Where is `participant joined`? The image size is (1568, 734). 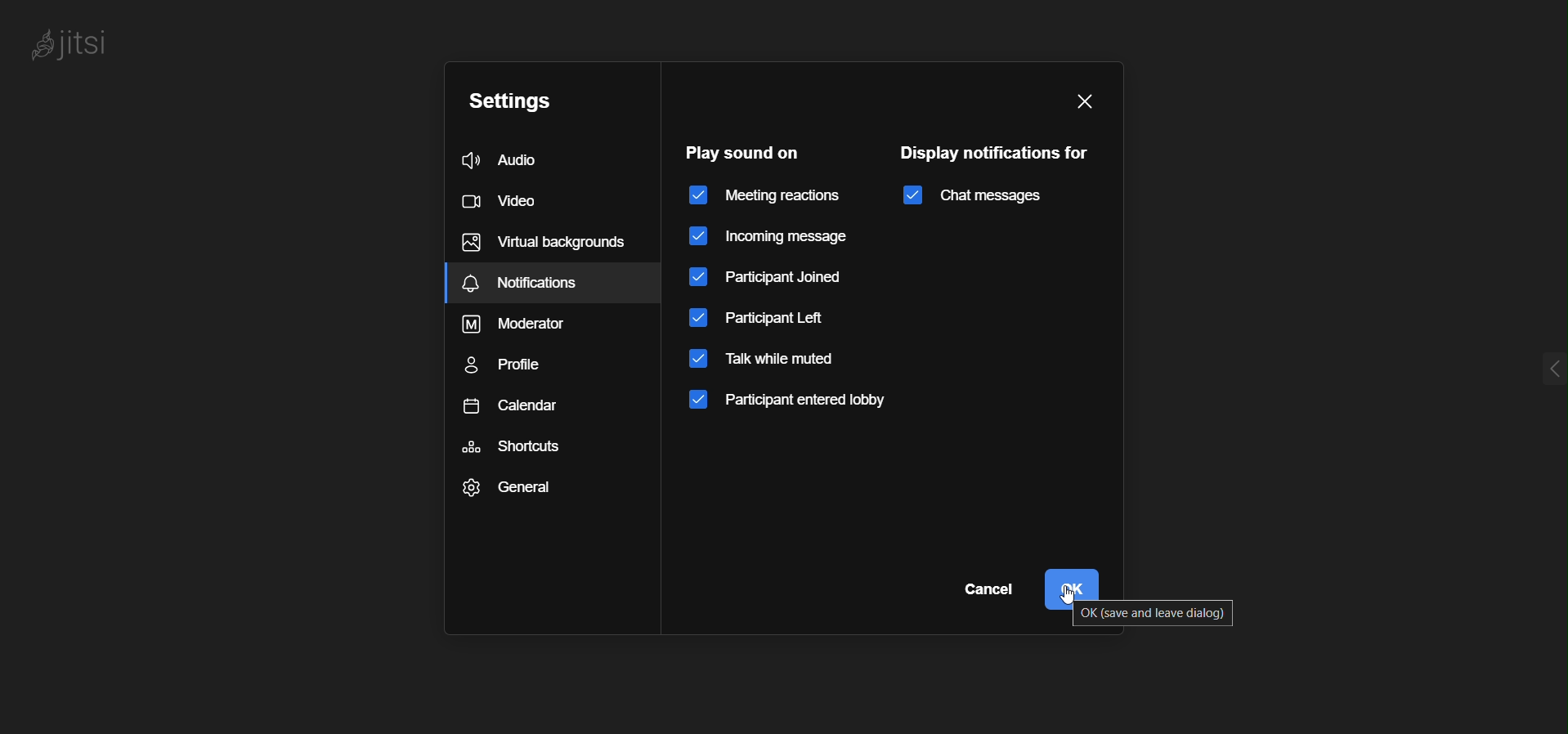
participant joined is located at coordinates (777, 277).